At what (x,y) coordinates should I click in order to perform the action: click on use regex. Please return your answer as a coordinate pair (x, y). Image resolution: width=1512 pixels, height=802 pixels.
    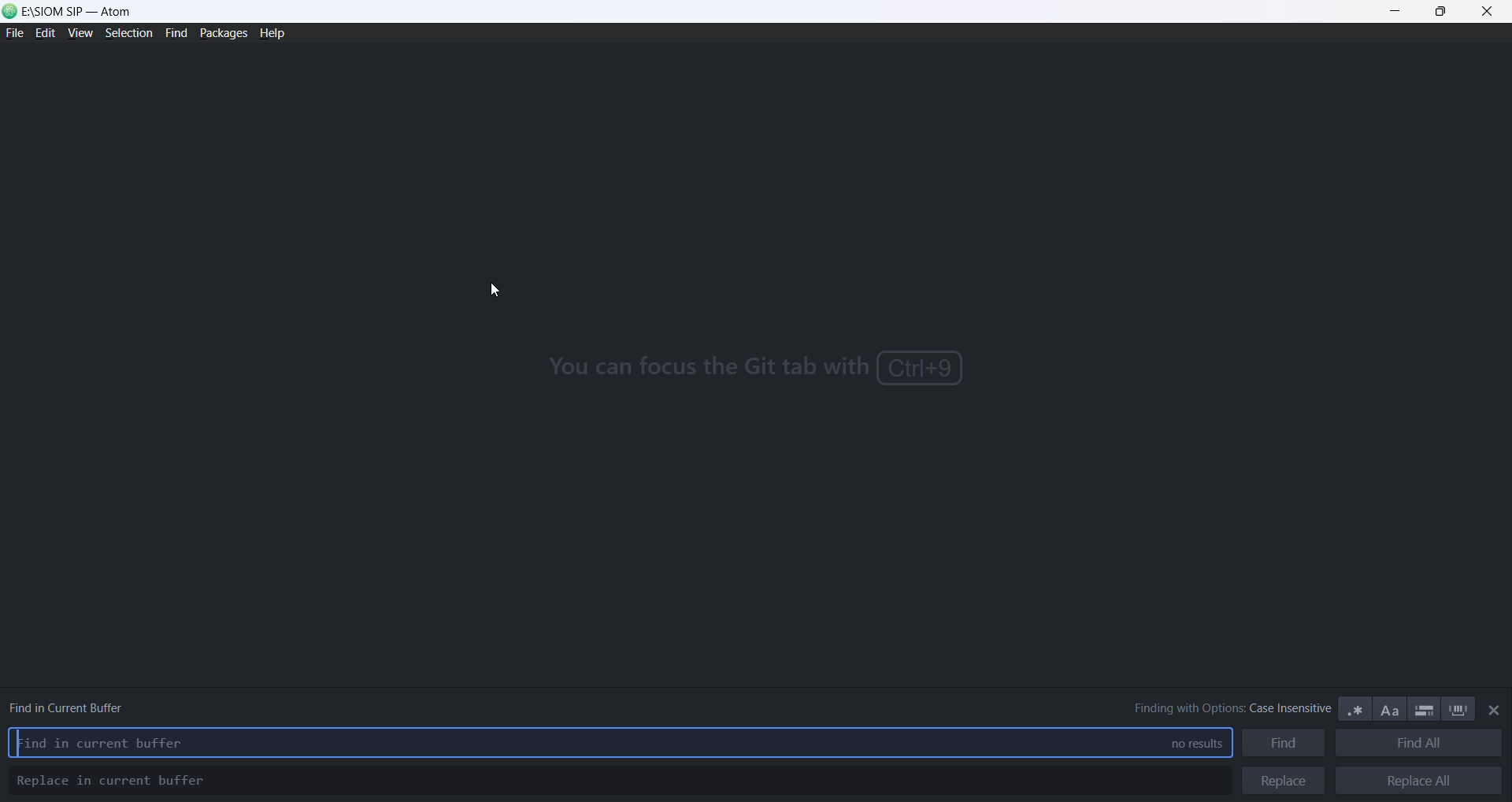
    Looking at the image, I should click on (1356, 709).